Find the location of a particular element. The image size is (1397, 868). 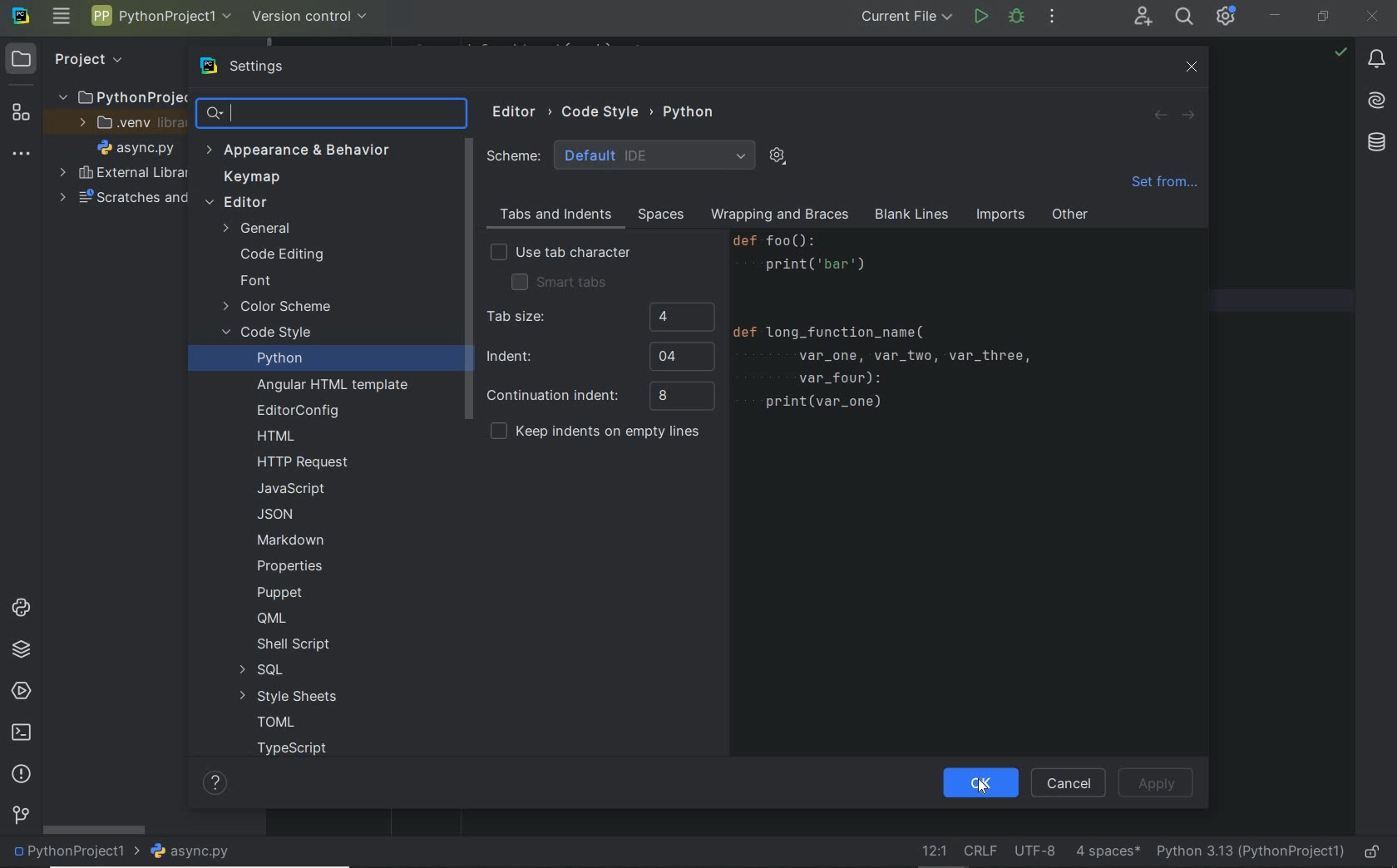

Project is located at coordinates (74, 60).